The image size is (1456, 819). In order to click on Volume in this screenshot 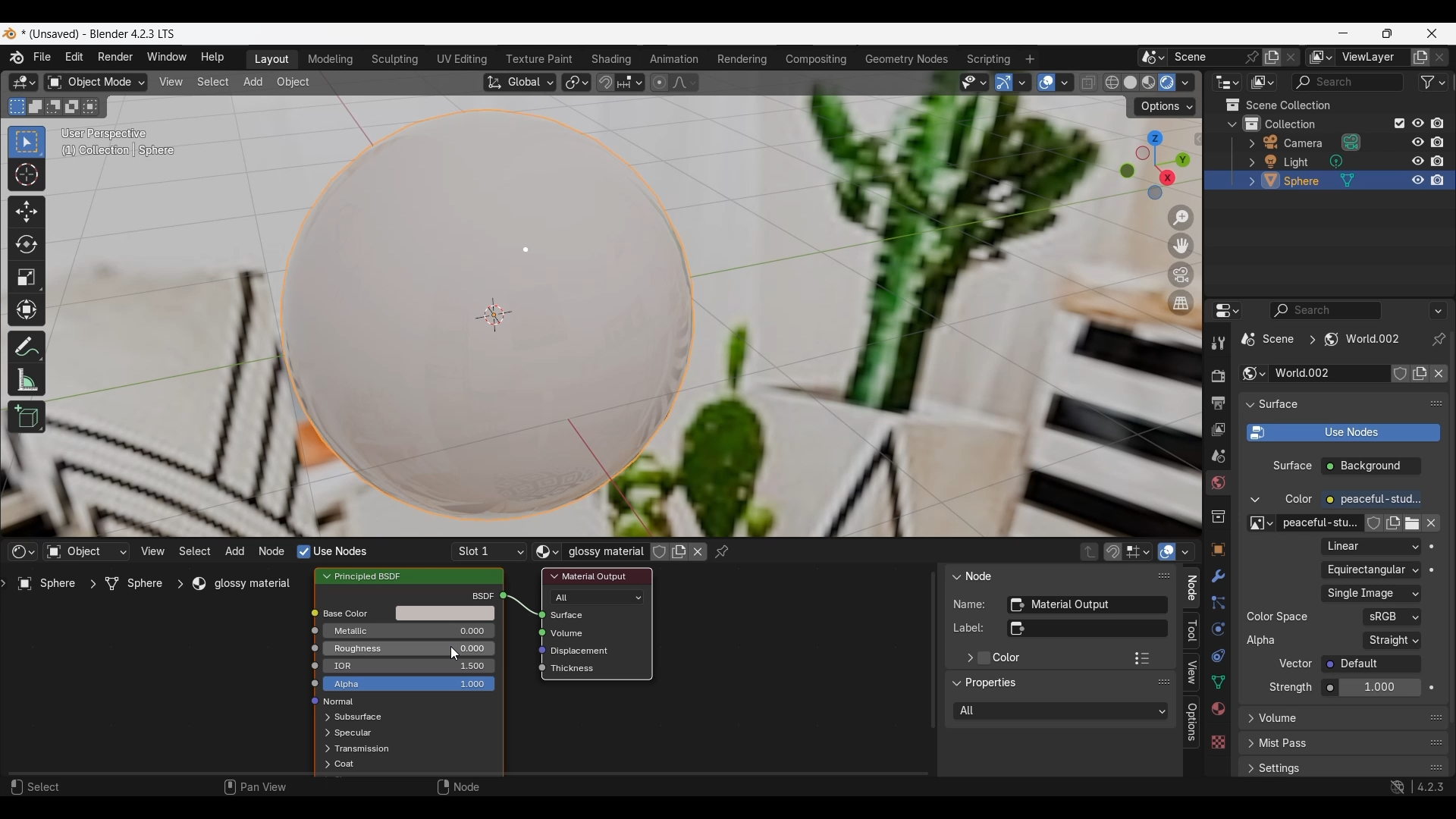, I will do `click(570, 633)`.